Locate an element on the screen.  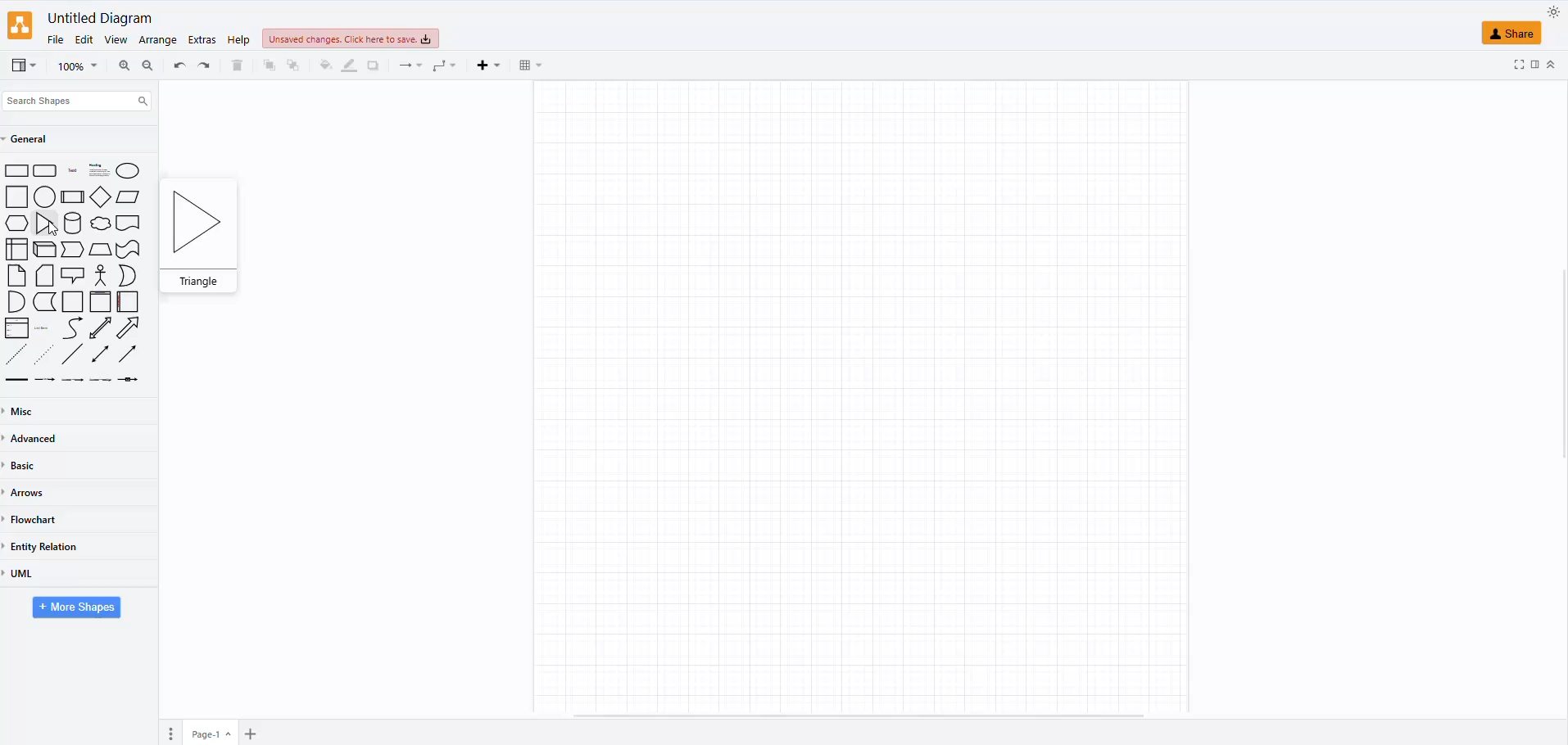
Two sided arrow is located at coordinates (100, 354).